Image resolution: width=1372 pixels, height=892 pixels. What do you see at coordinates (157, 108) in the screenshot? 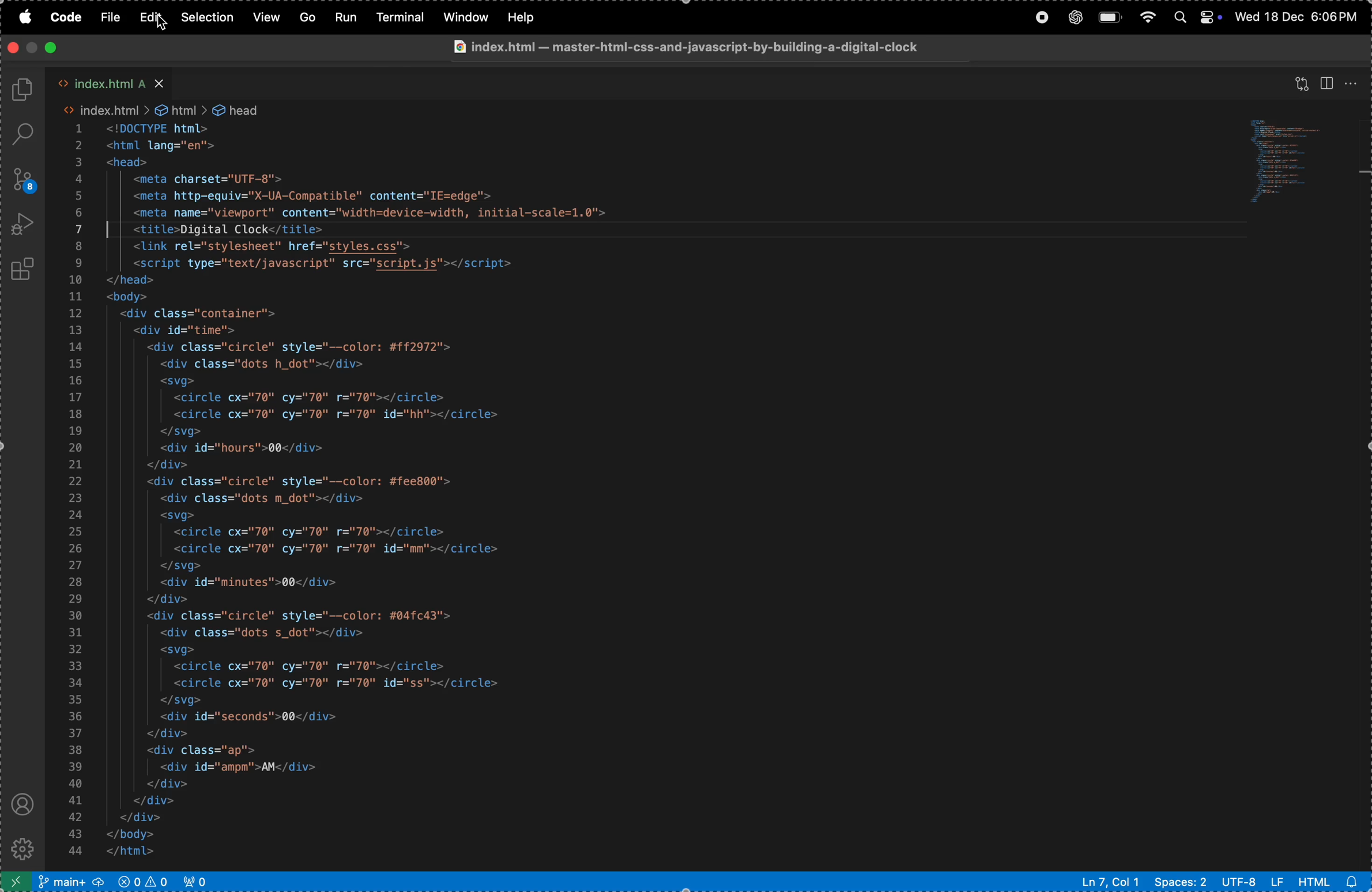
I see `index.html > &@ html > & head` at bounding box center [157, 108].